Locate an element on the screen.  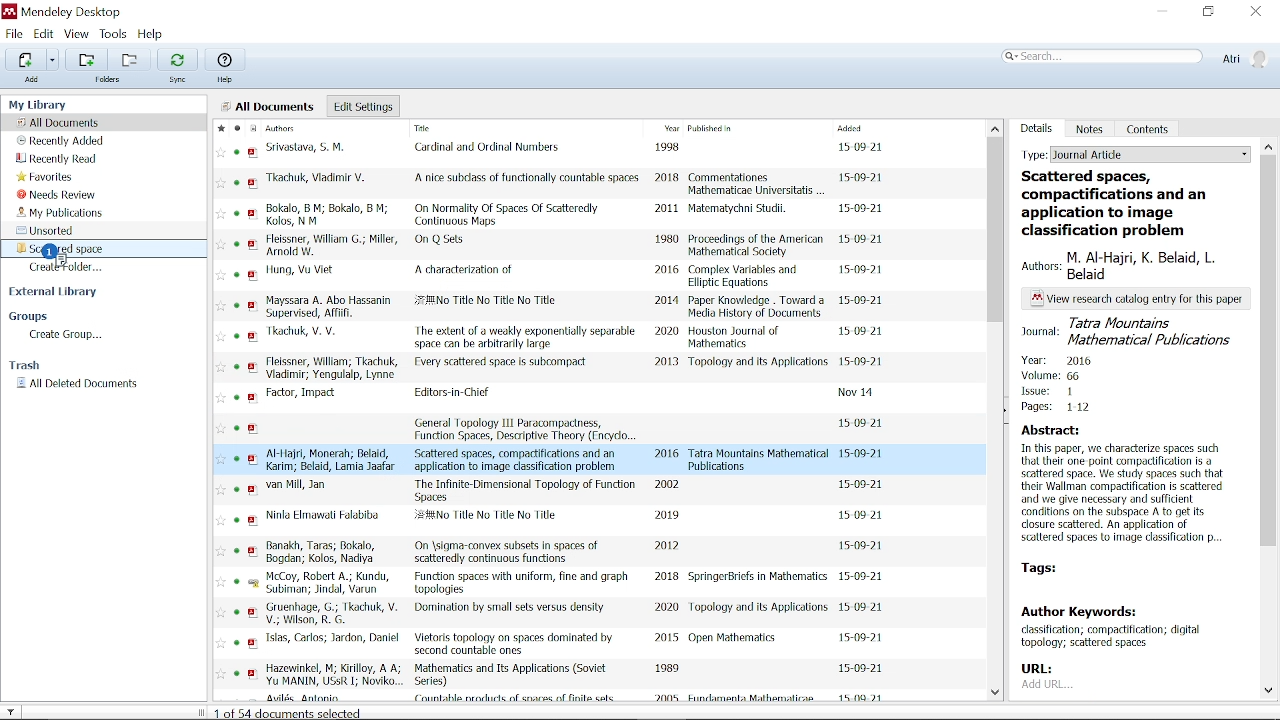
authors is located at coordinates (333, 675).